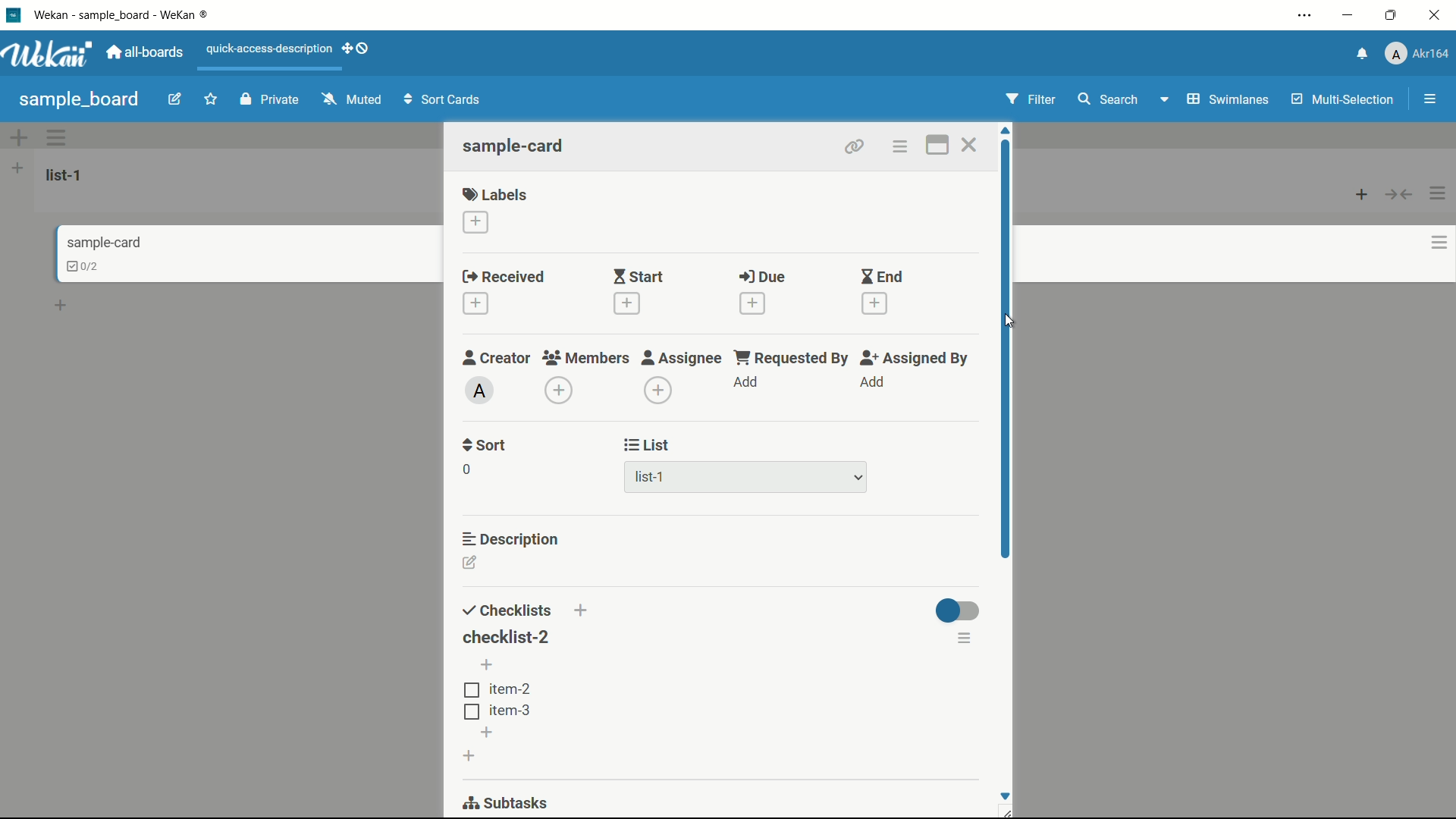 The width and height of the screenshot is (1456, 819). I want to click on add checklist, so click(468, 756).